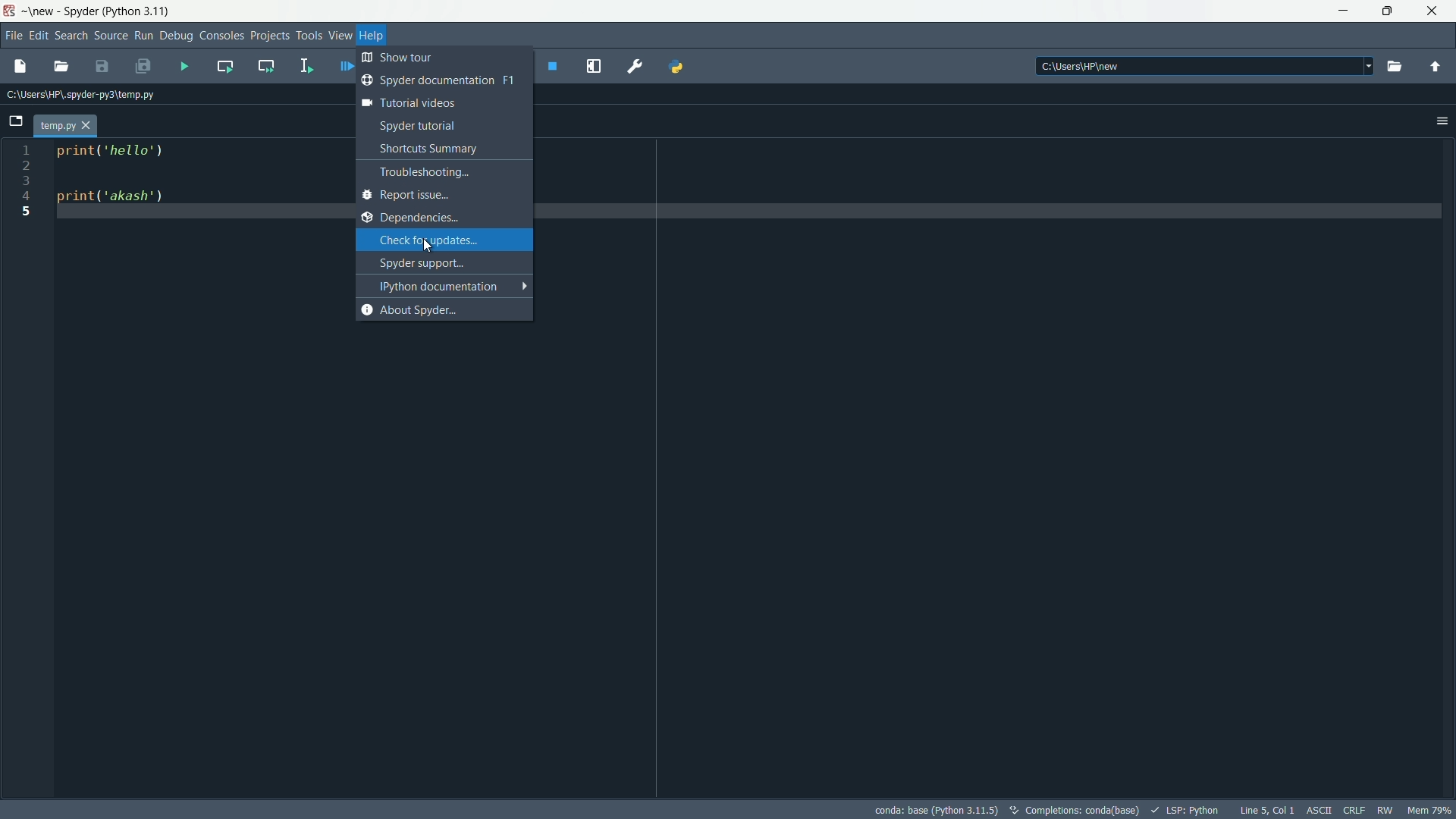 The image size is (1456, 819). What do you see at coordinates (1200, 67) in the screenshot?
I see `directory` at bounding box center [1200, 67].